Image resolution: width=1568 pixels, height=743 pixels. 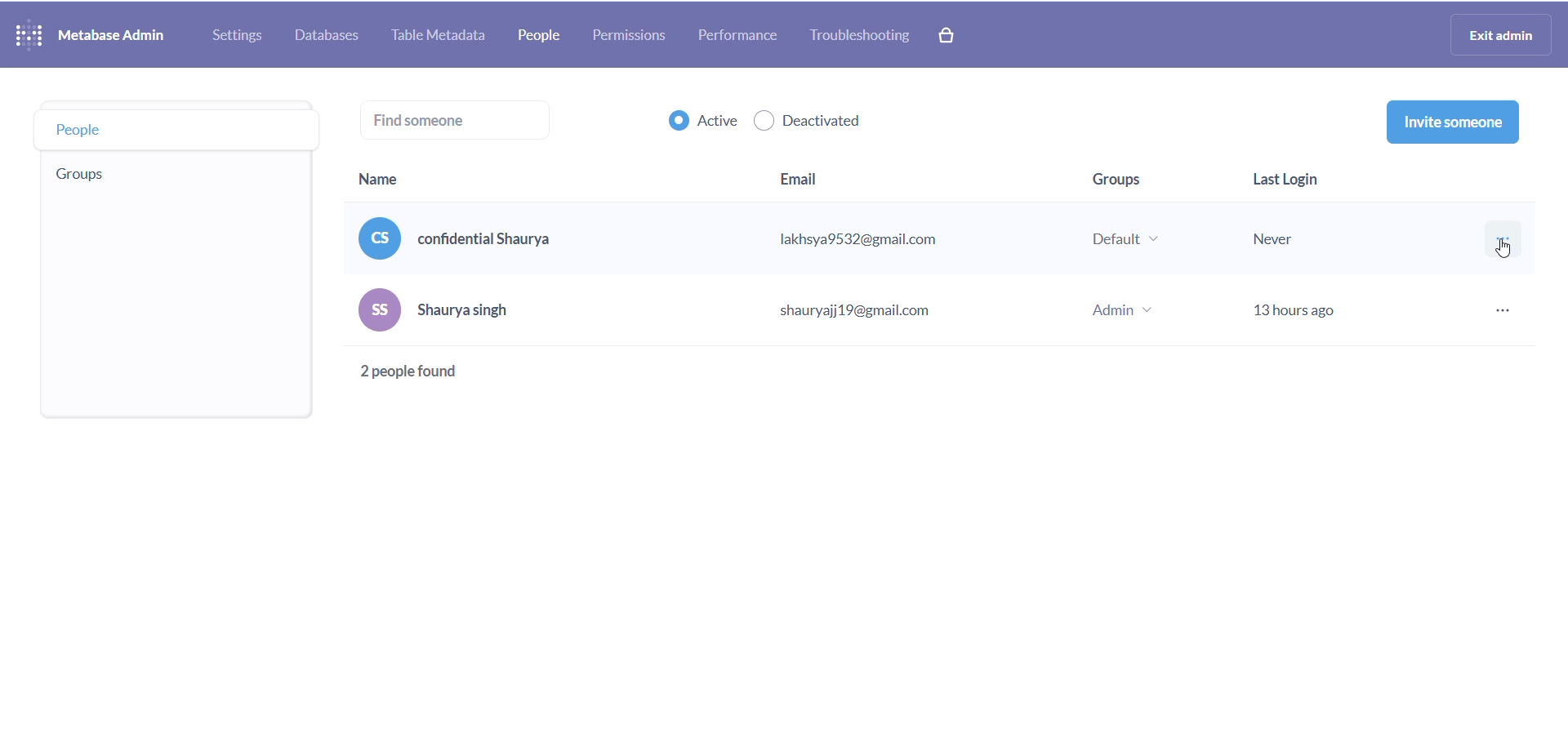 What do you see at coordinates (458, 316) in the screenshot?
I see `name` at bounding box center [458, 316].